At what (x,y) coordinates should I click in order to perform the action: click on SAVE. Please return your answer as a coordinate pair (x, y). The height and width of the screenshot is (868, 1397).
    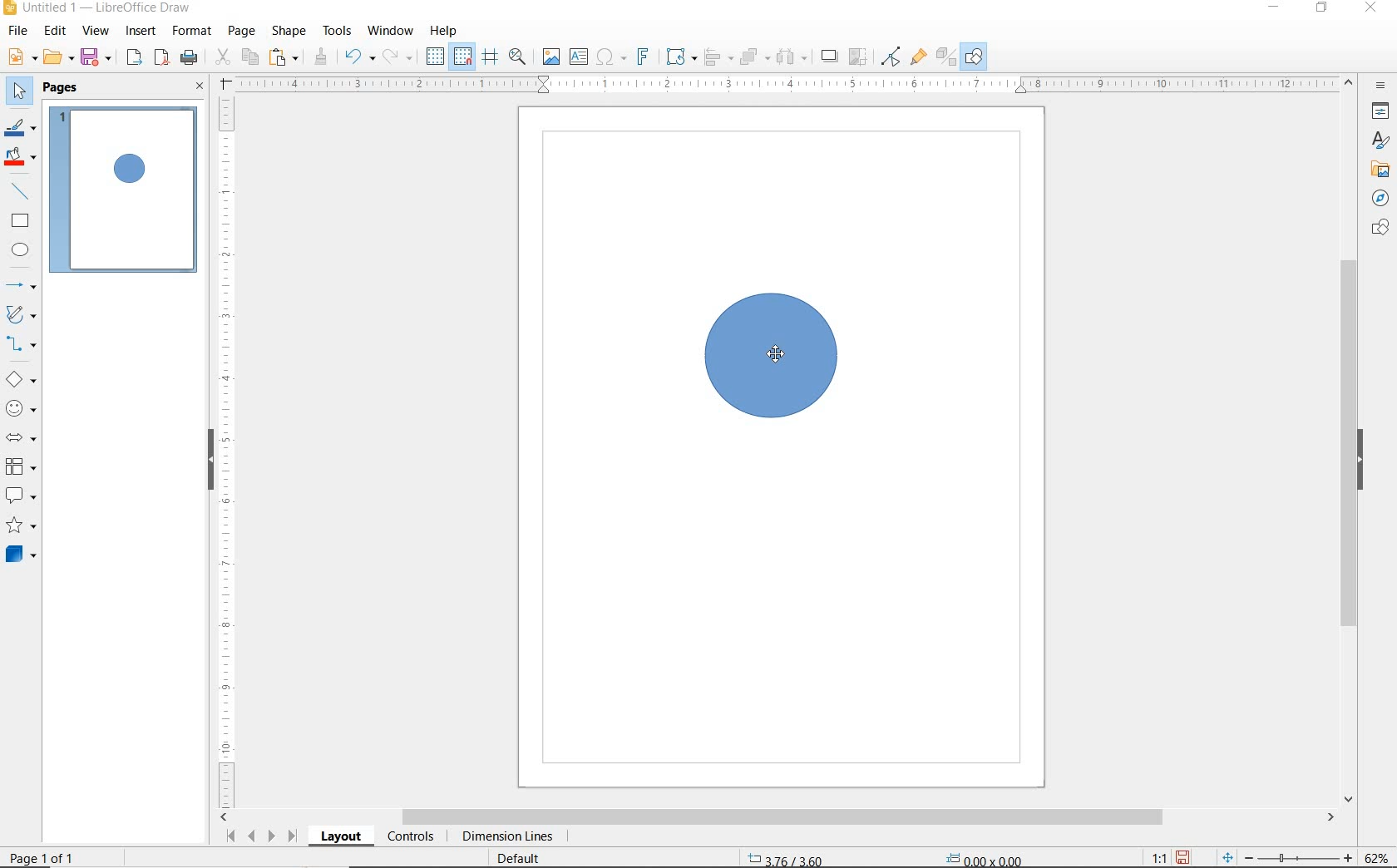
    Looking at the image, I should click on (1184, 857).